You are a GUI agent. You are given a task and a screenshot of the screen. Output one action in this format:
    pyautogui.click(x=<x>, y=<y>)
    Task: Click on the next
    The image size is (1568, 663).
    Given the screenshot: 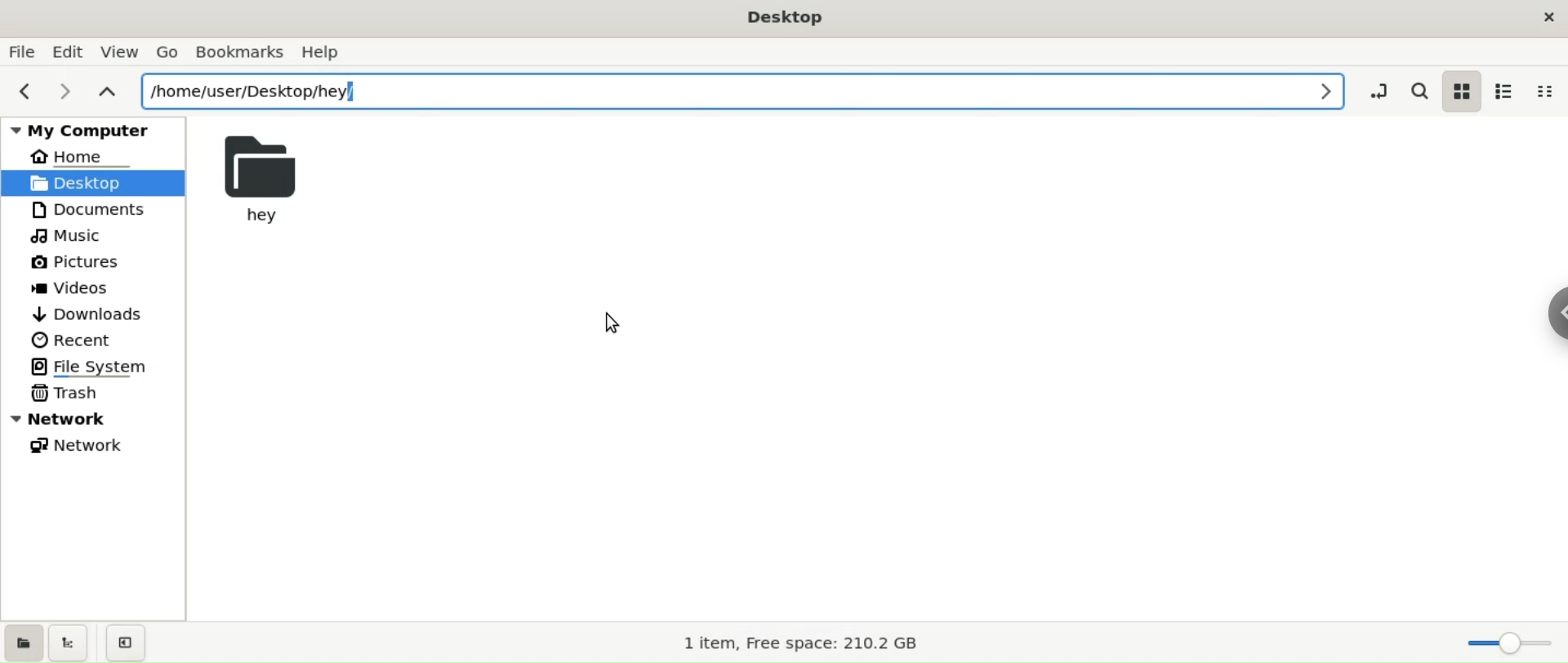 What is the action you would take?
    pyautogui.click(x=65, y=92)
    